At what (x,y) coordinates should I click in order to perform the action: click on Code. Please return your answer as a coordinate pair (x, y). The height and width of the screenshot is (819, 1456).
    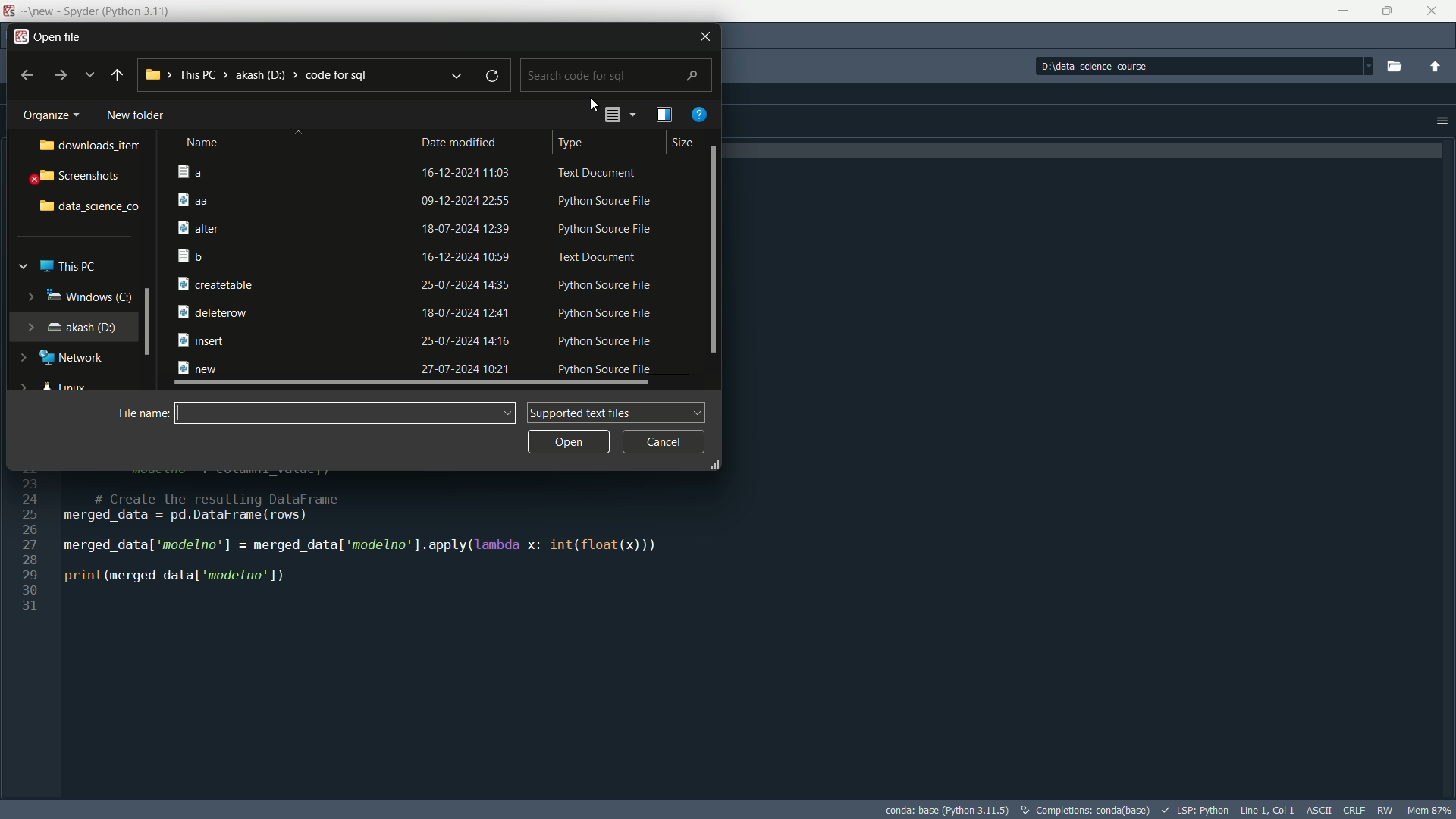
    Looking at the image, I should click on (337, 551).